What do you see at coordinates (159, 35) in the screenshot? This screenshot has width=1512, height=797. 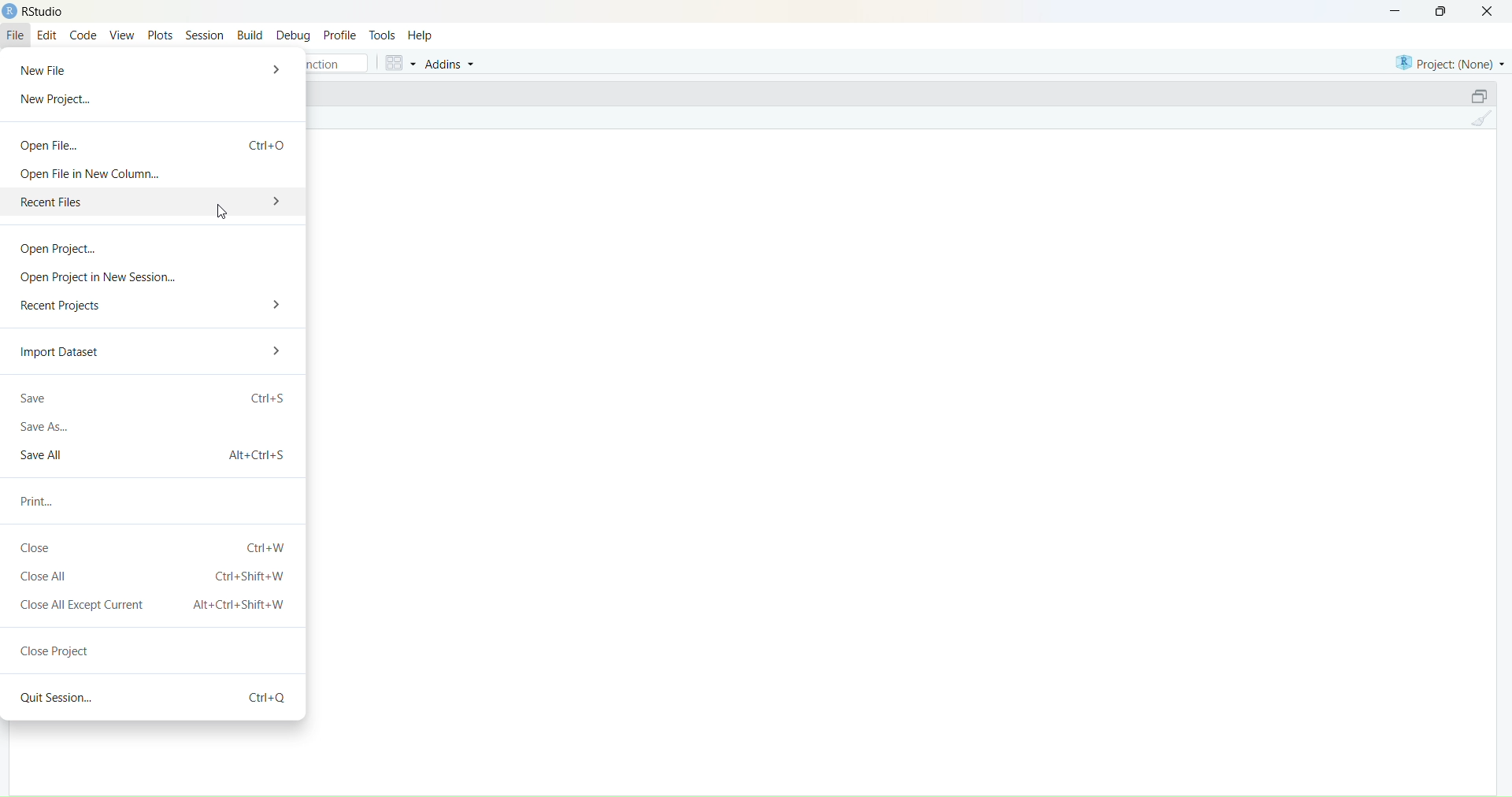 I see `Plots` at bounding box center [159, 35].